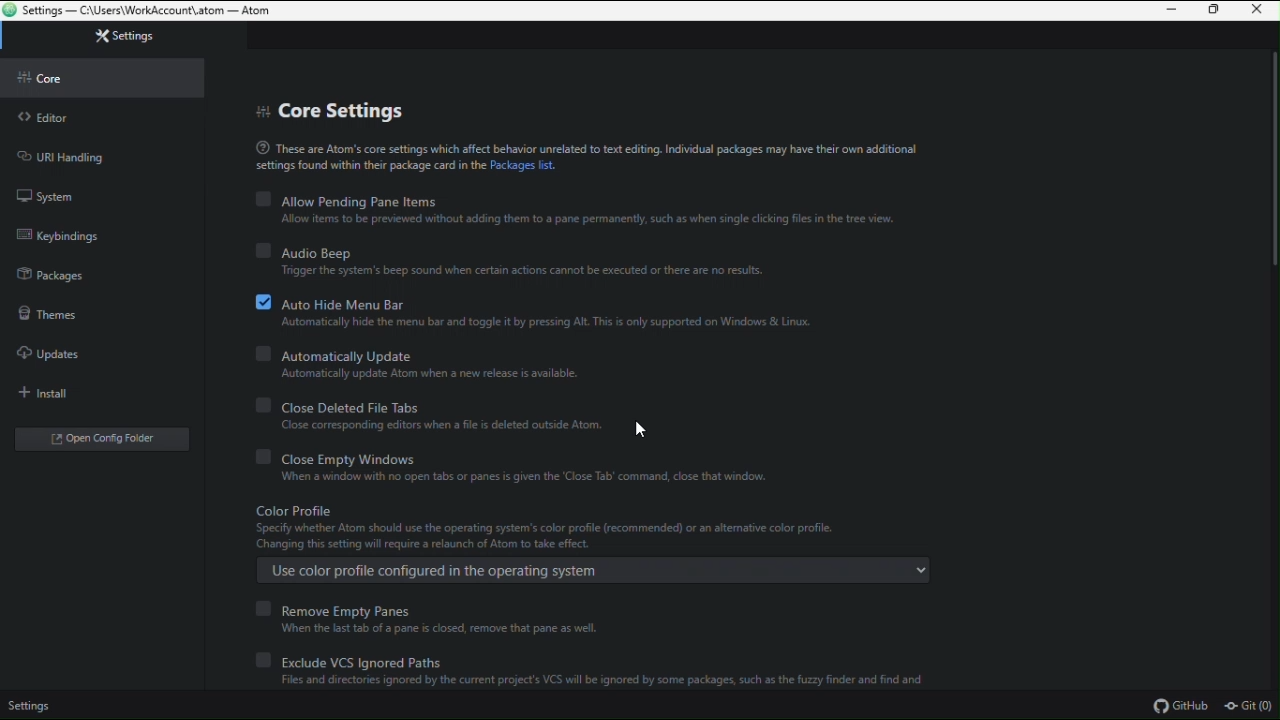 This screenshot has height=720, width=1280. Describe the element at coordinates (105, 154) in the screenshot. I see `url handling` at that location.